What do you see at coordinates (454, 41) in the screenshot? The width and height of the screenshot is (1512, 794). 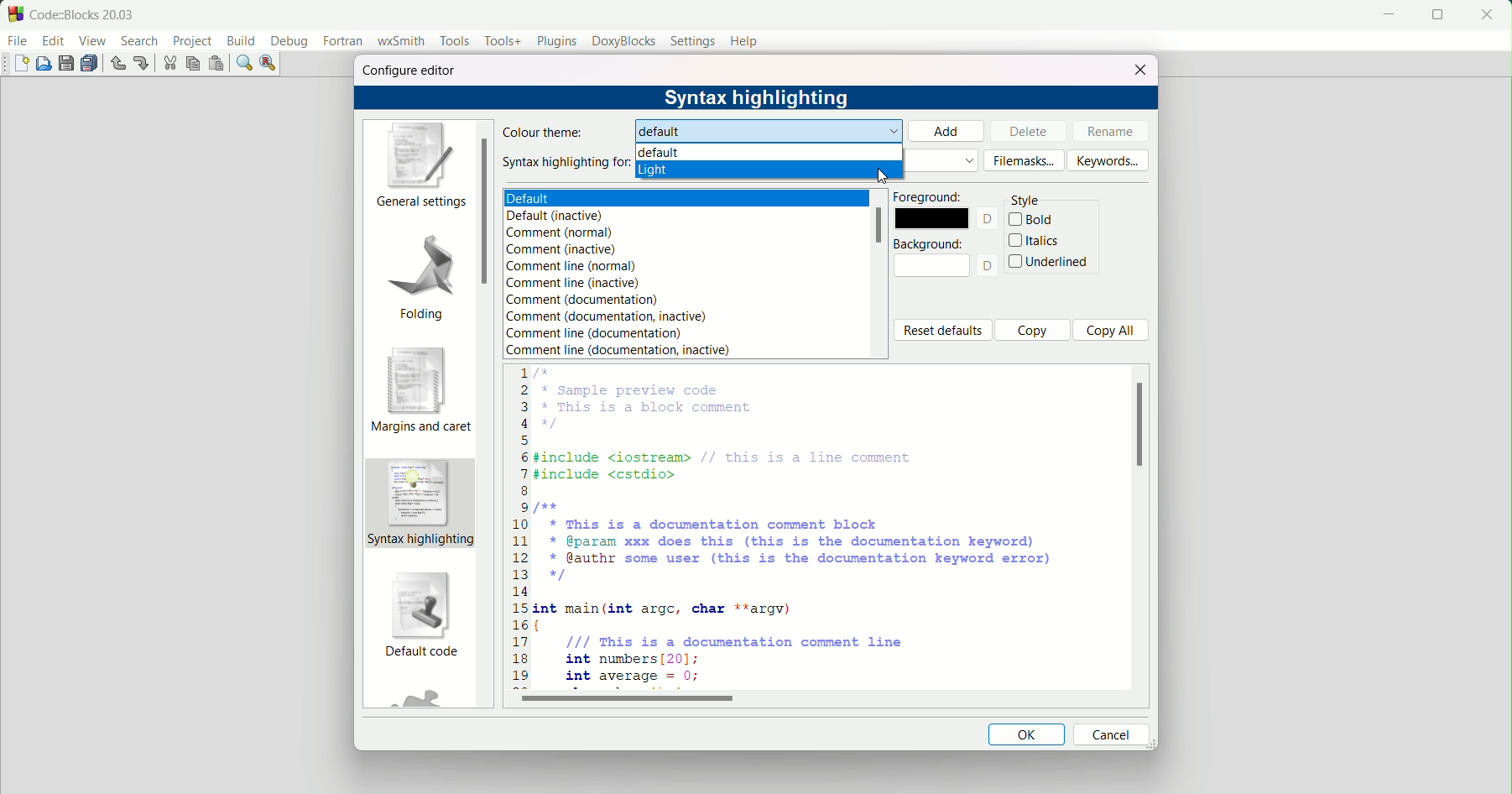 I see `tools` at bounding box center [454, 41].